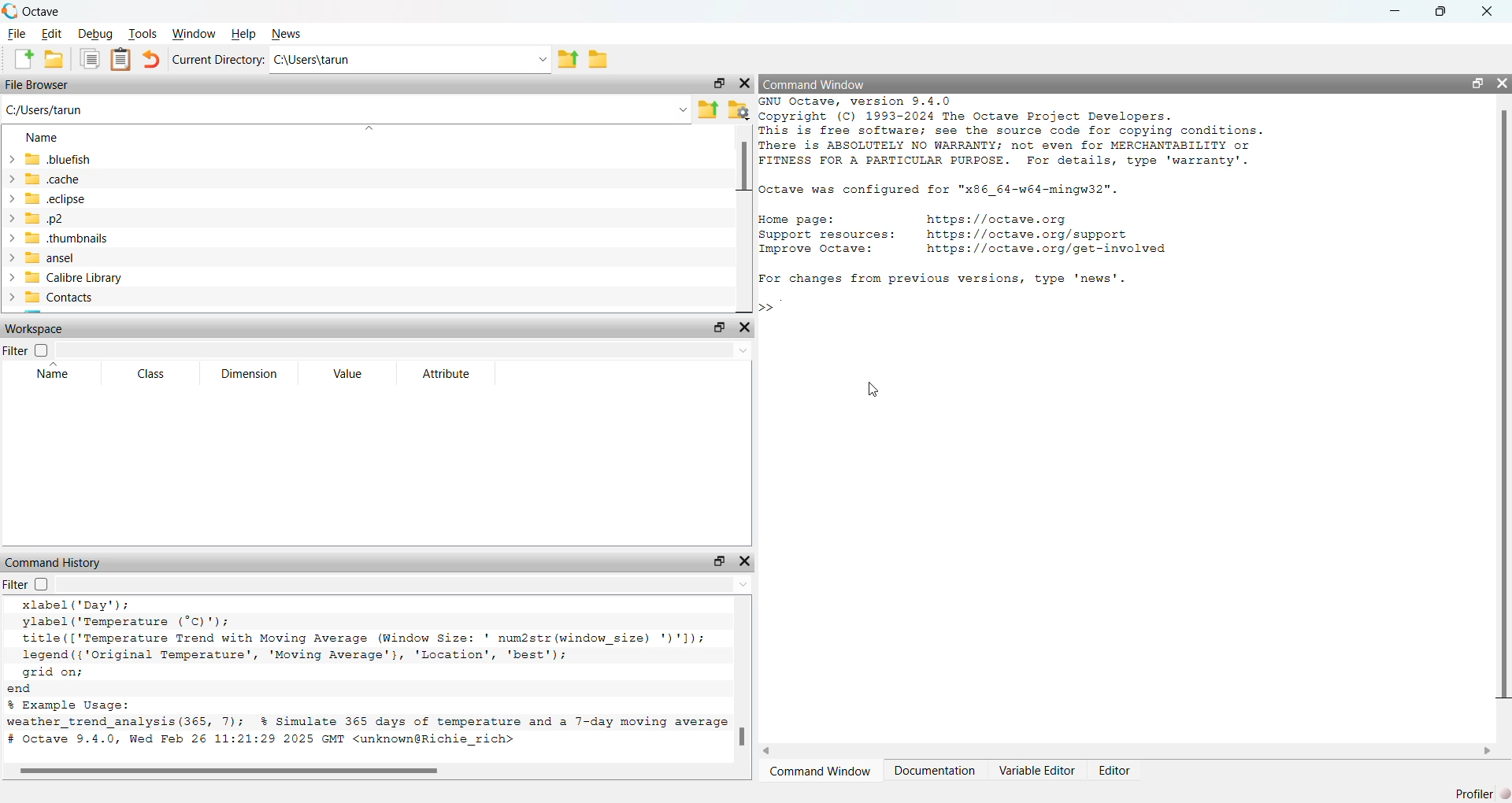  Describe the element at coordinates (16, 35) in the screenshot. I see `File` at that location.